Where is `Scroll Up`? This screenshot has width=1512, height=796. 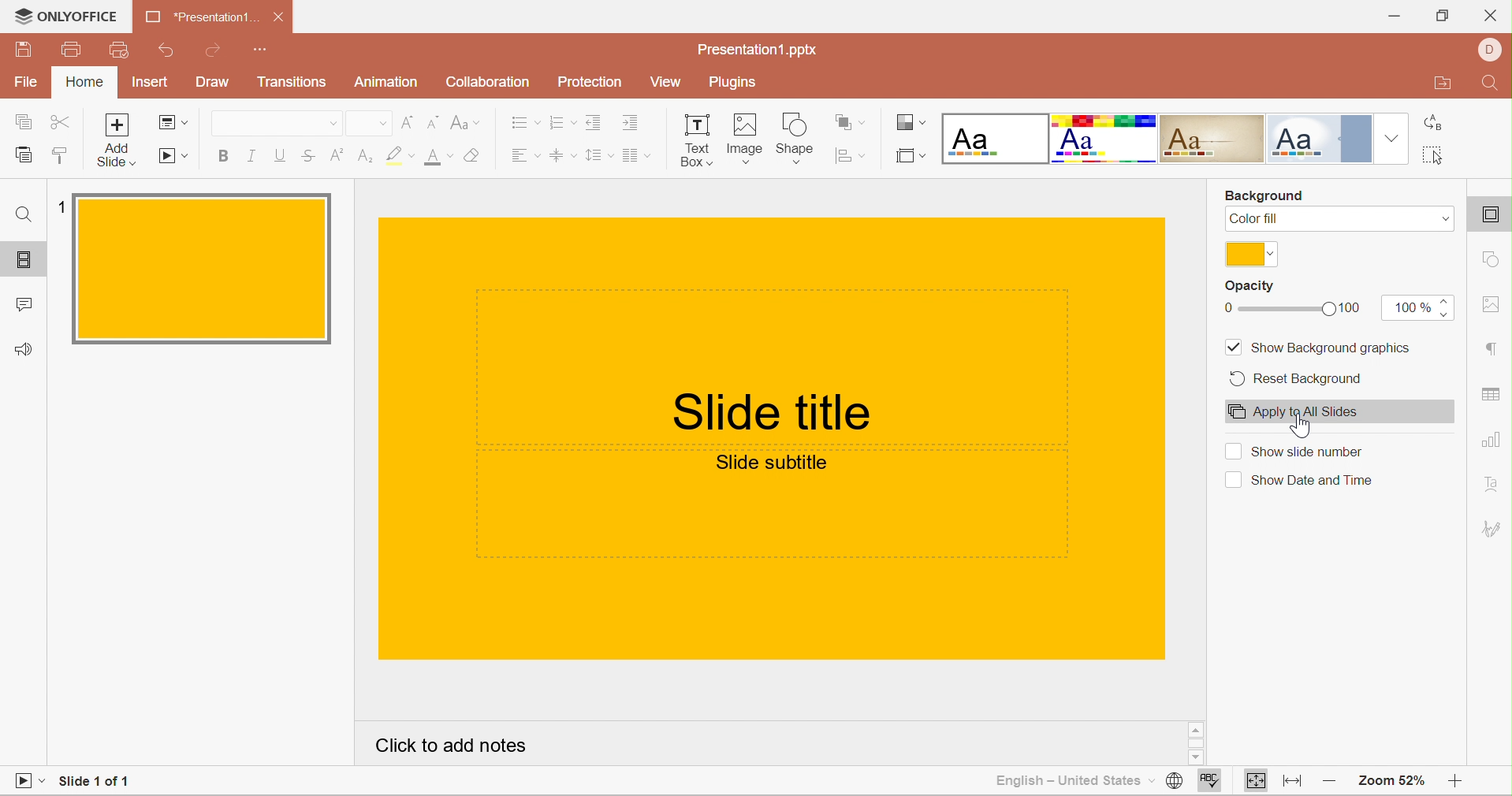 Scroll Up is located at coordinates (1458, 728).